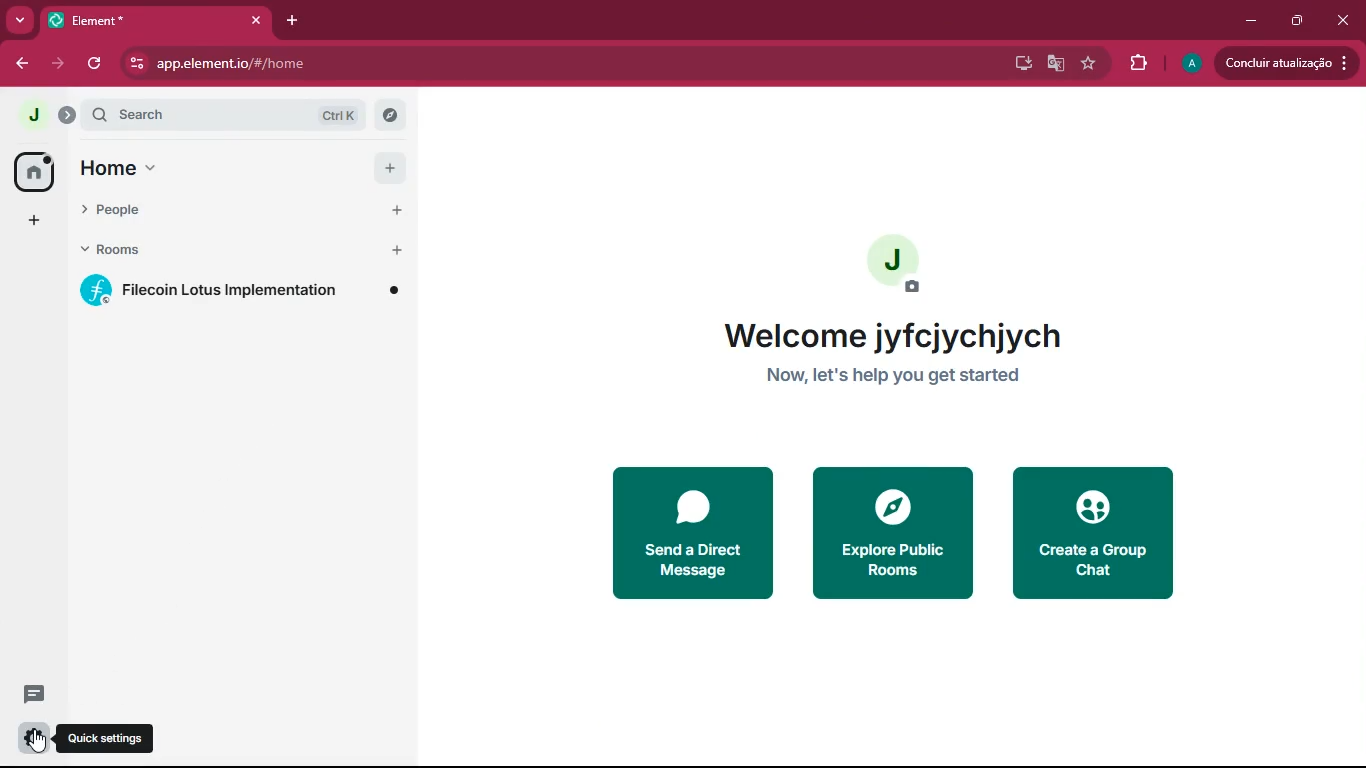  I want to click on Element*, so click(140, 19).